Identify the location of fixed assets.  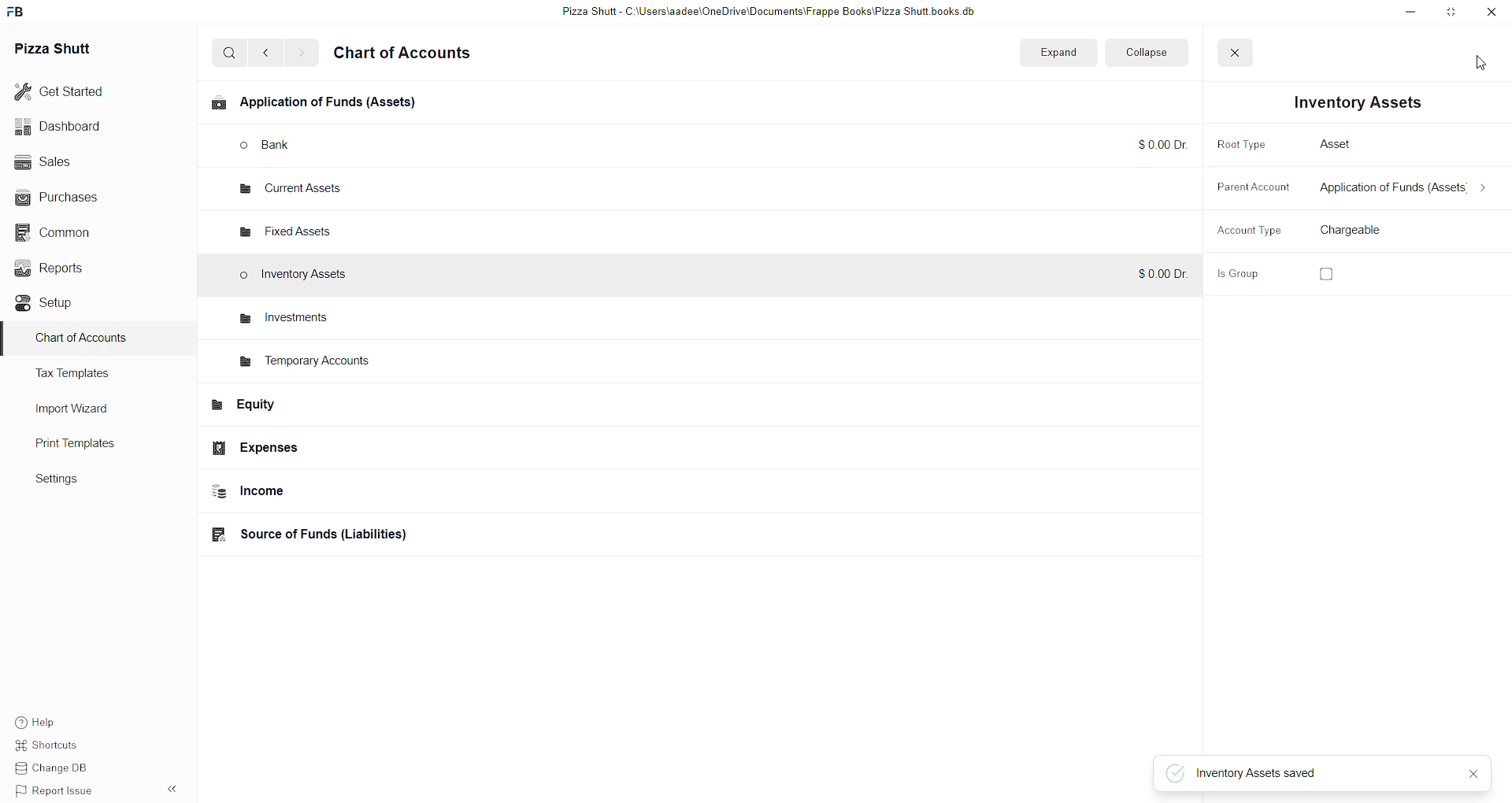
(291, 228).